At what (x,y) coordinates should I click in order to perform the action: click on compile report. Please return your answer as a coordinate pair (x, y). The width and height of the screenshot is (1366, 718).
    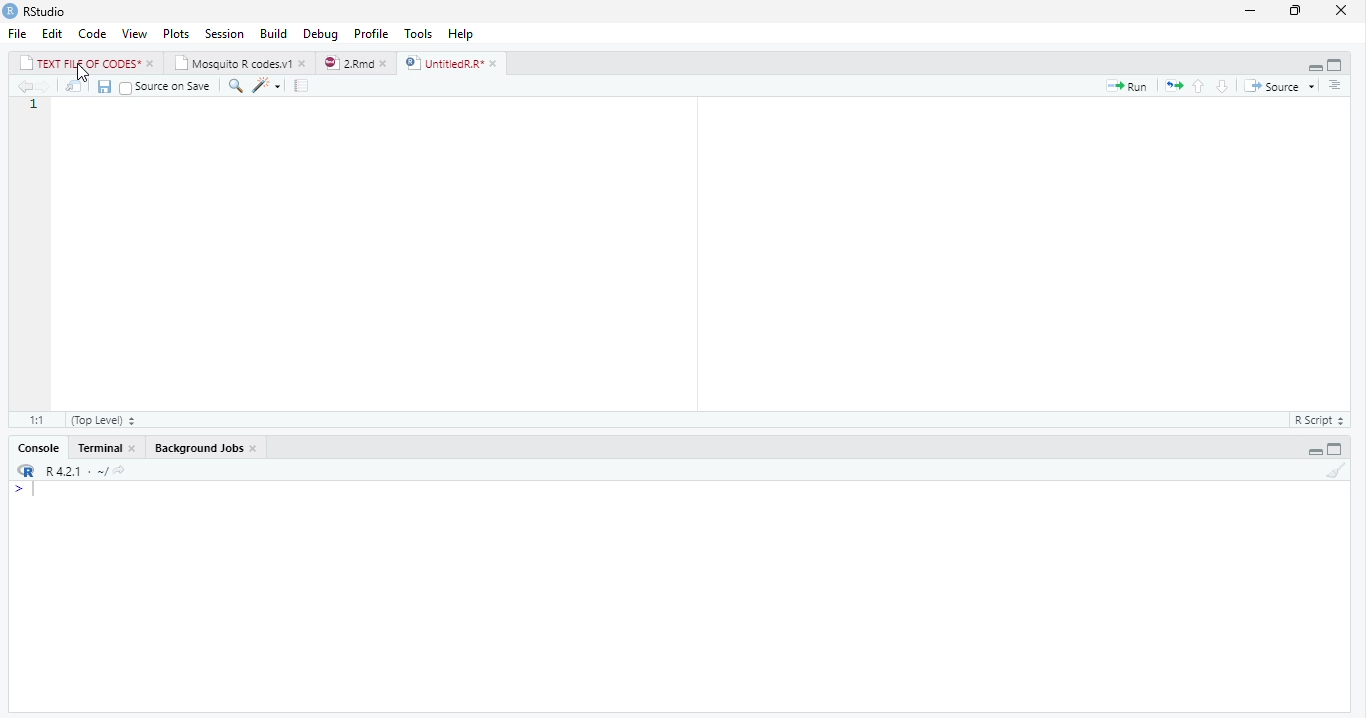
    Looking at the image, I should click on (304, 85).